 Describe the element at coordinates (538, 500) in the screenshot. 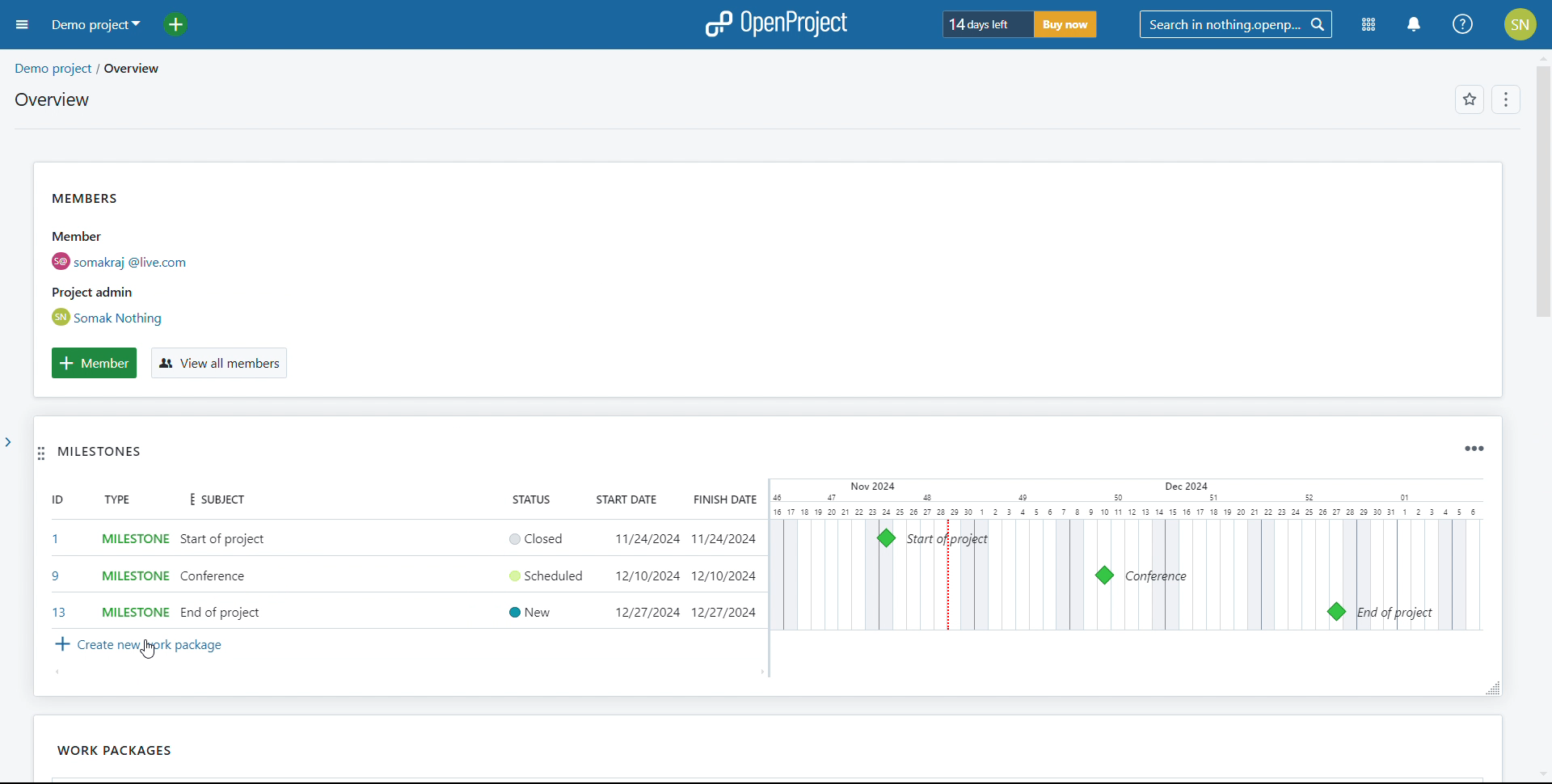

I see `status` at that location.